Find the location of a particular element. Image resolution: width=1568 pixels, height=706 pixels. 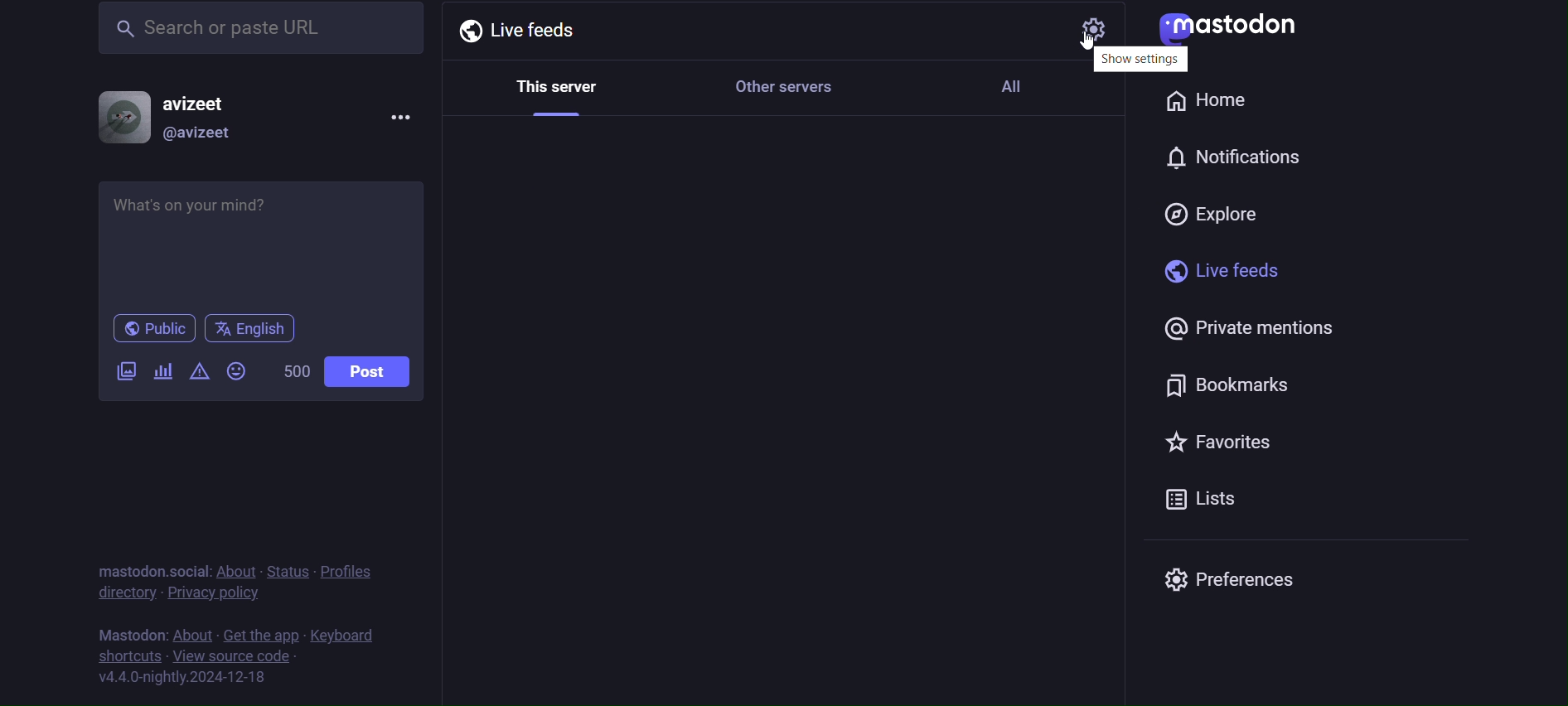

Other servers is located at coordinates (776, 85).